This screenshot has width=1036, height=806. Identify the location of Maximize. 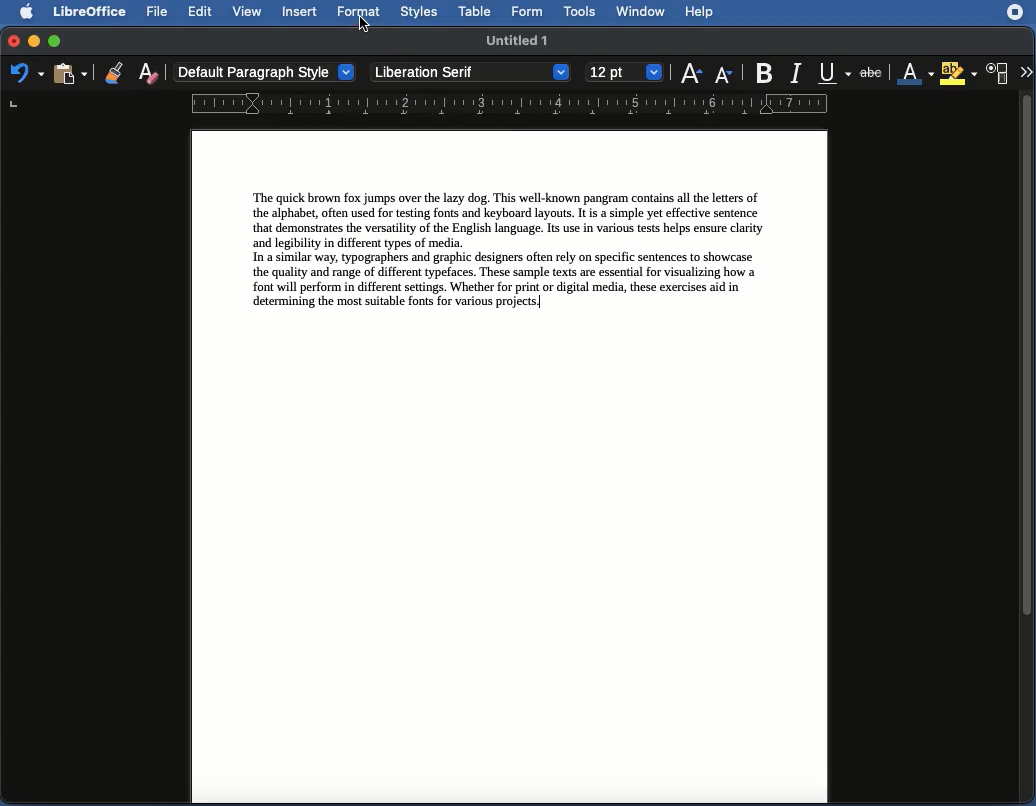
(55, 42).